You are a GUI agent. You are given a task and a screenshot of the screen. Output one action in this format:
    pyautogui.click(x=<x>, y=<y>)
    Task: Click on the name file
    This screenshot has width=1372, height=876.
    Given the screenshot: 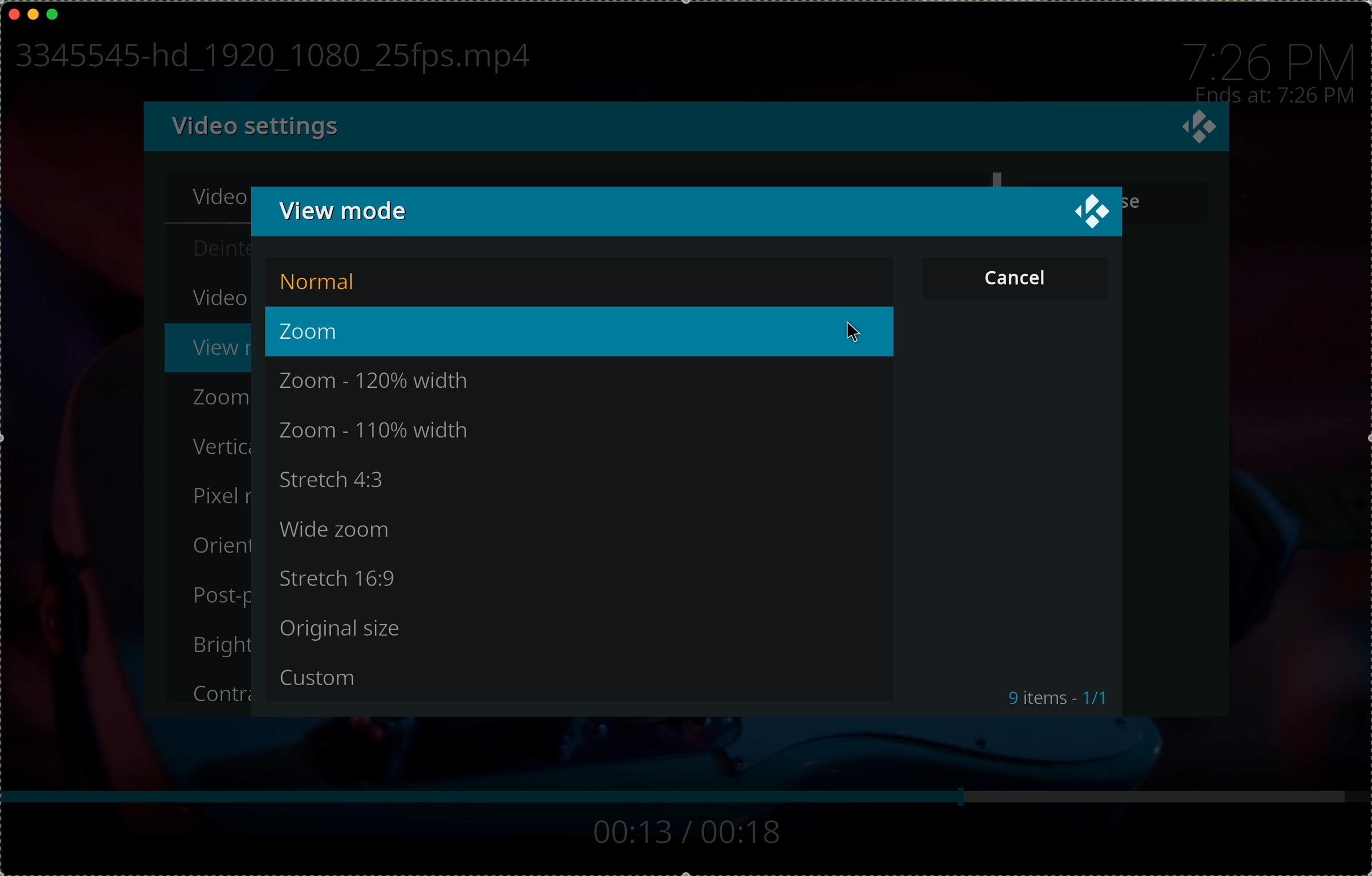 What is the action you would take?
    pyautogui.click(x=268, y=58)
    